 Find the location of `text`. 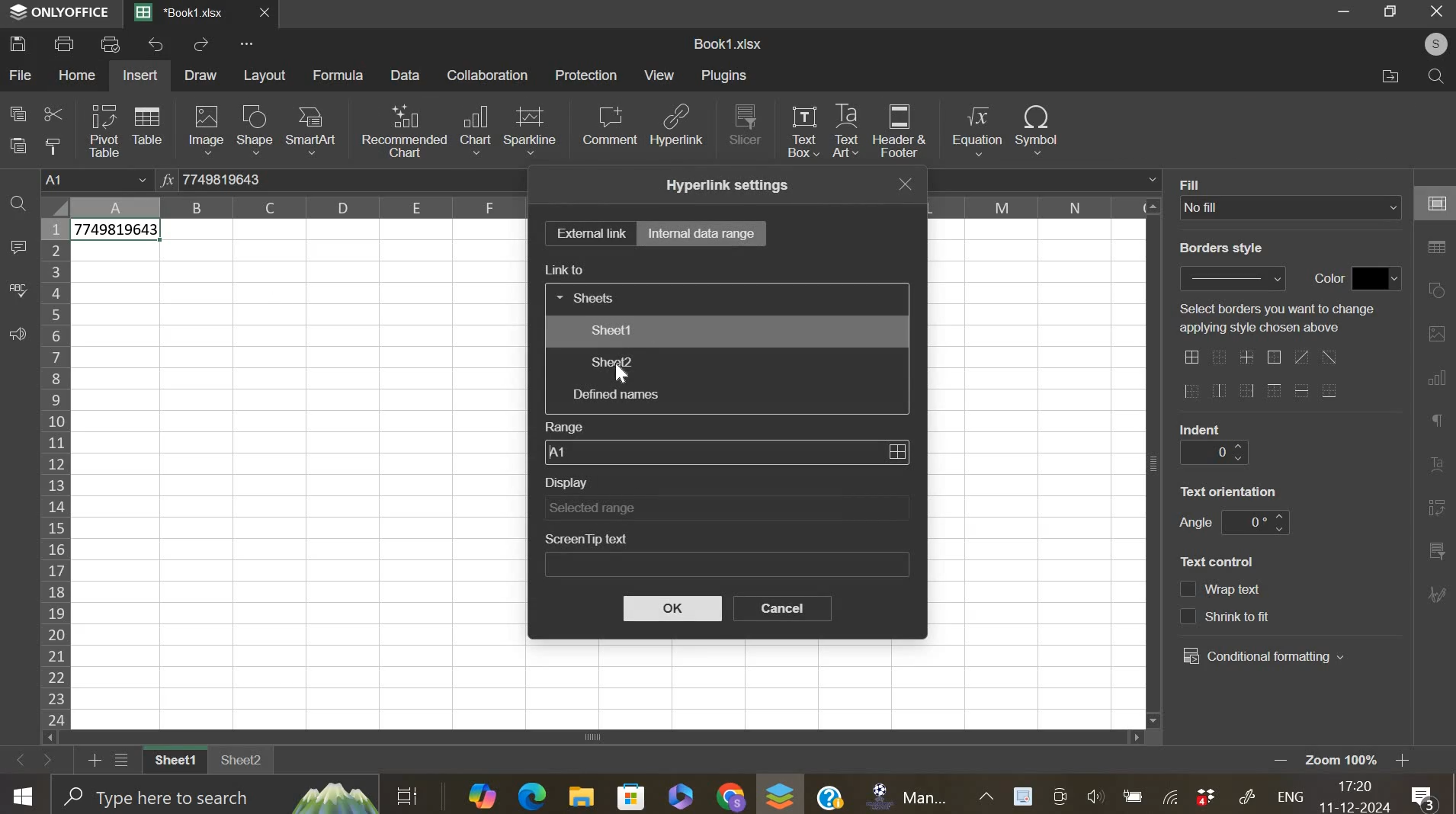

text is located at coordinates (1195, 524).